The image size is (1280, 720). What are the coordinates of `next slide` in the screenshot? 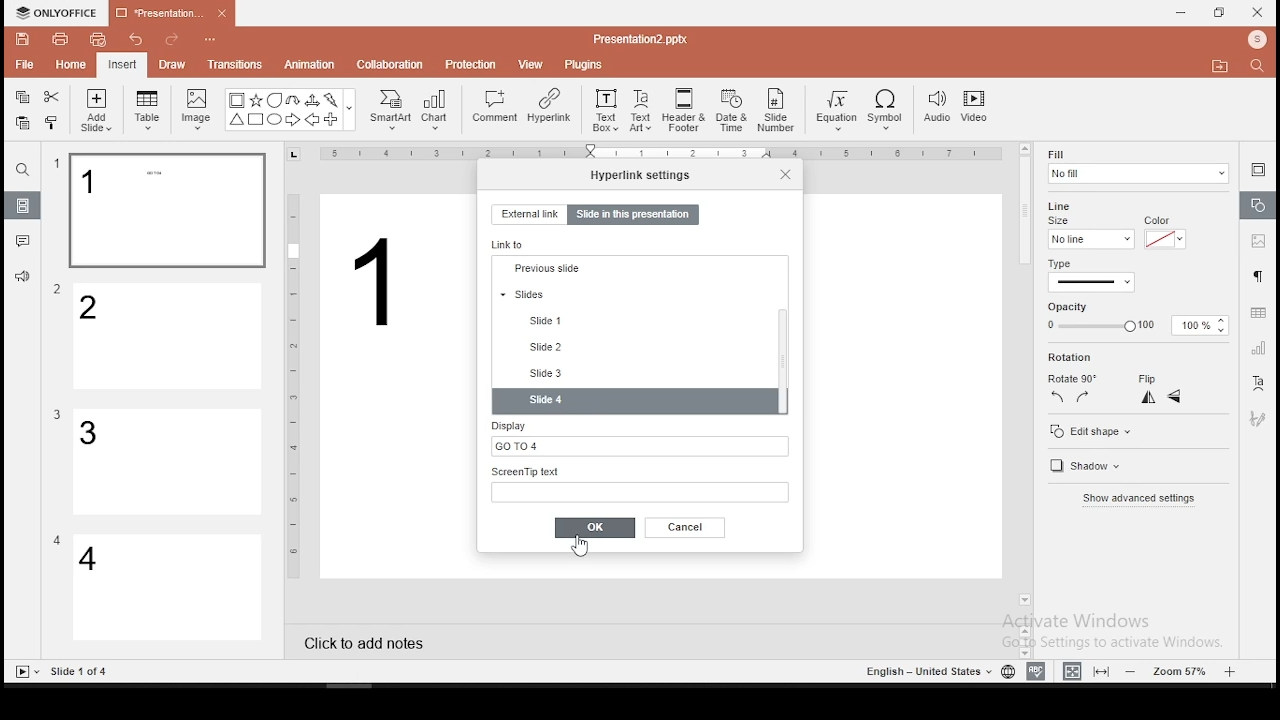 It's located at (632, 317).